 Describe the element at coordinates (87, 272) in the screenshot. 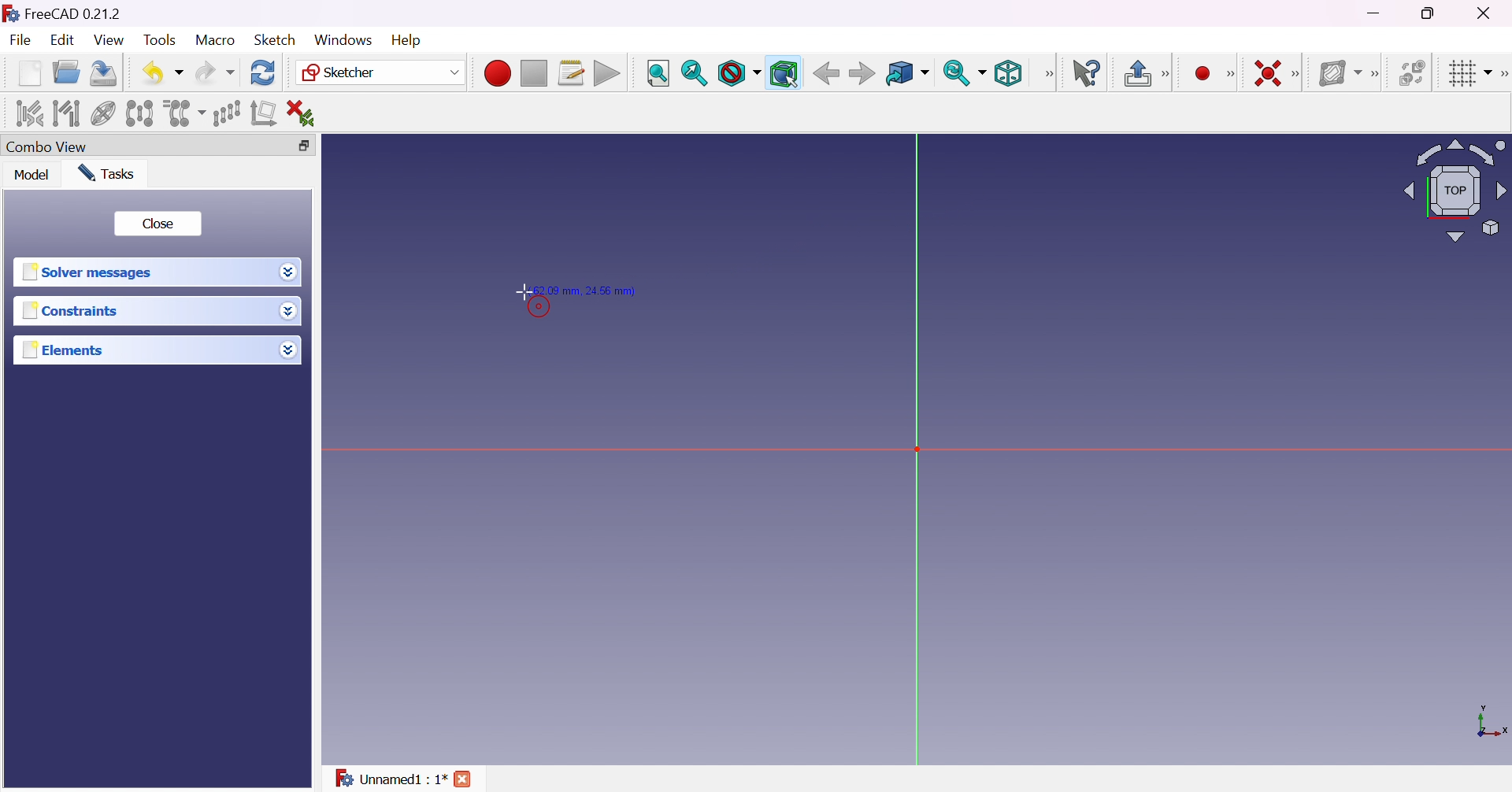

I see `Solver messages` at that location.